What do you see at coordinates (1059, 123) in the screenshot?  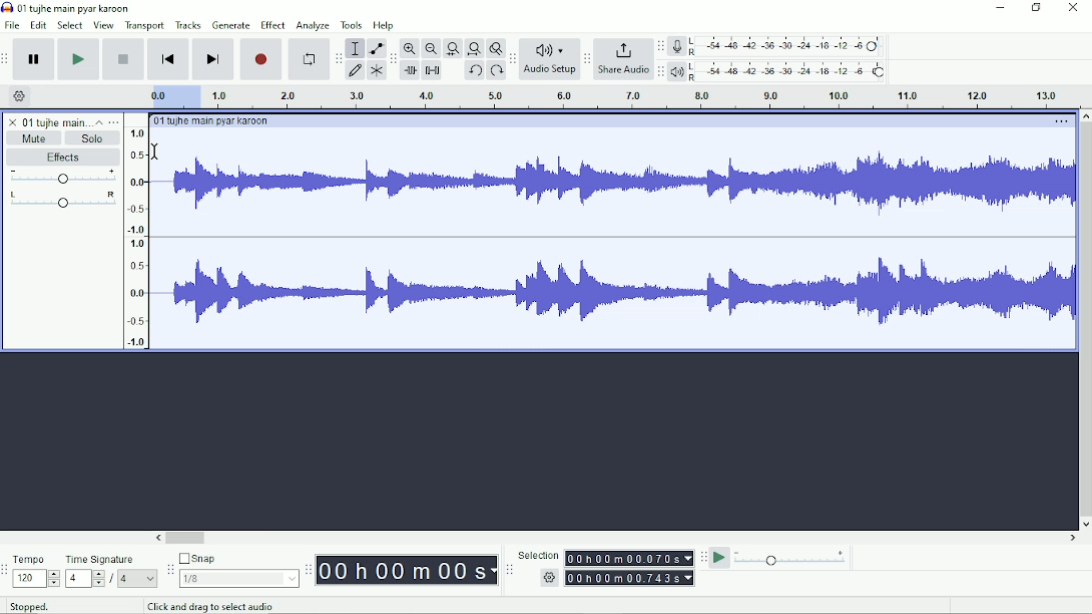 I see `Options` at bounding box center [1059, 123].